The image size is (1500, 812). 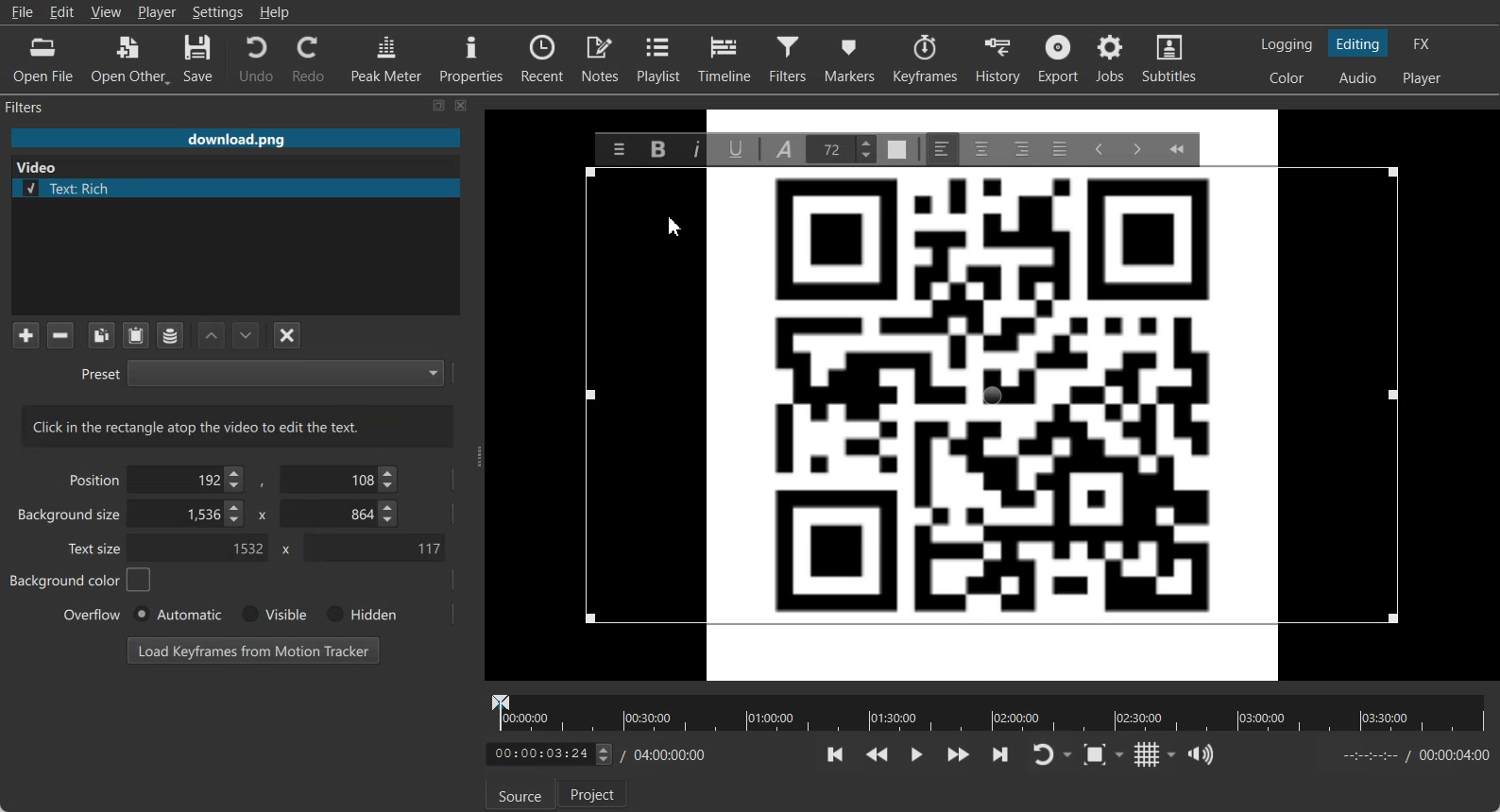 I want to click on Text Size, so click(x=840, y=149).